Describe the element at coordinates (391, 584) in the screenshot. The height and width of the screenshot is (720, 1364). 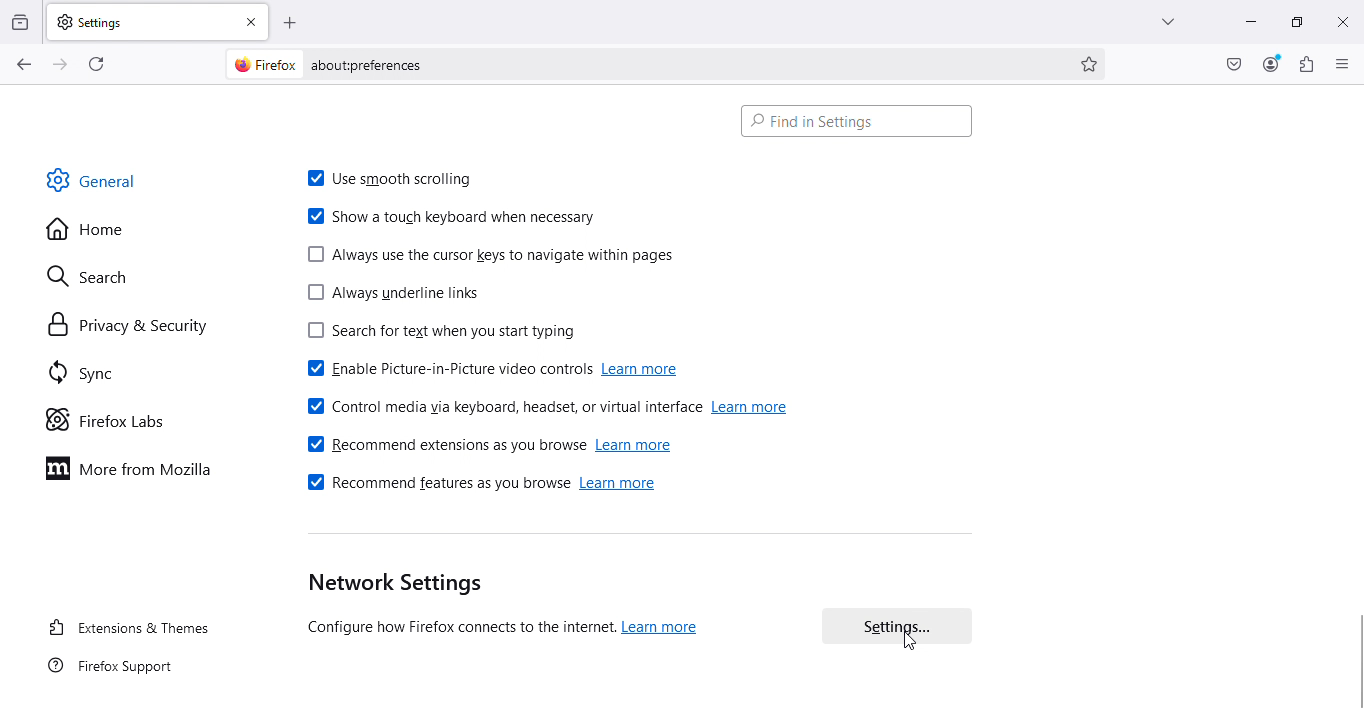
I see `Network settings` at that location.